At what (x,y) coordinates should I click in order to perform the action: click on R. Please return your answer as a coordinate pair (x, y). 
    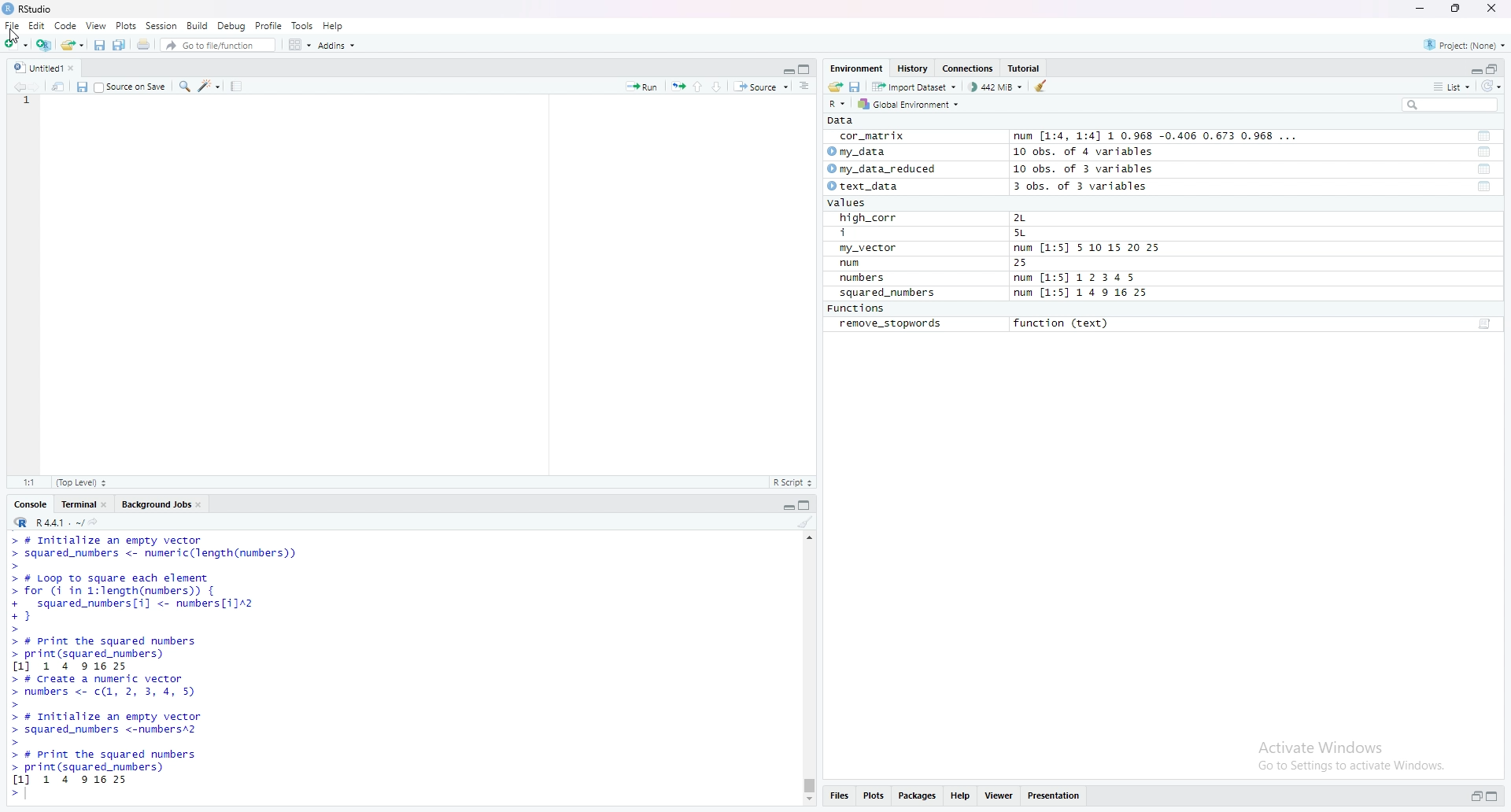
    Looking at the image, I should click on (833, 105).